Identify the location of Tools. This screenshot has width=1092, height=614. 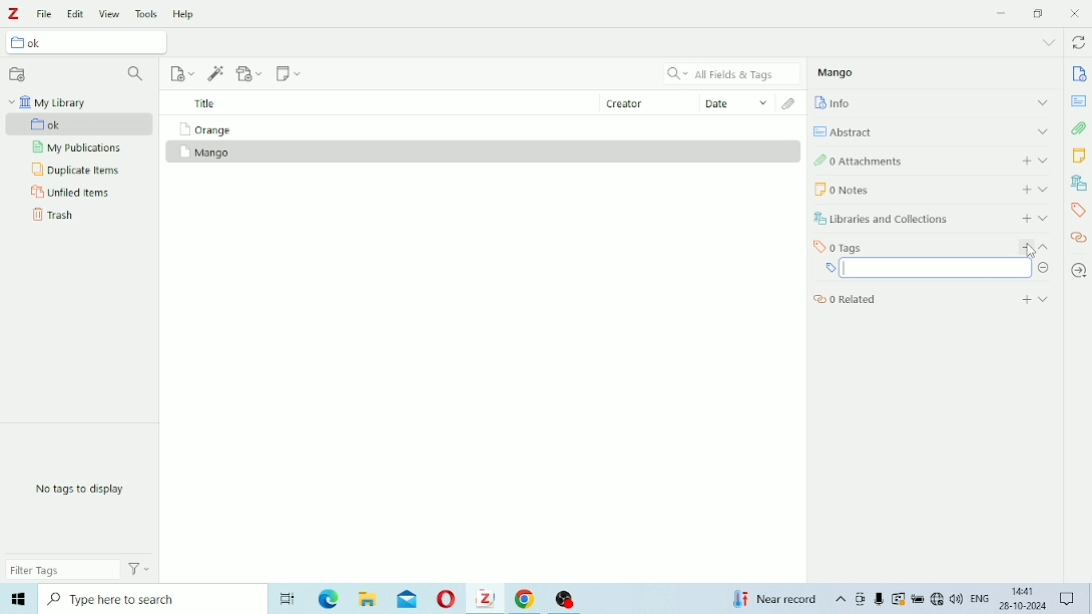
(147, 15).